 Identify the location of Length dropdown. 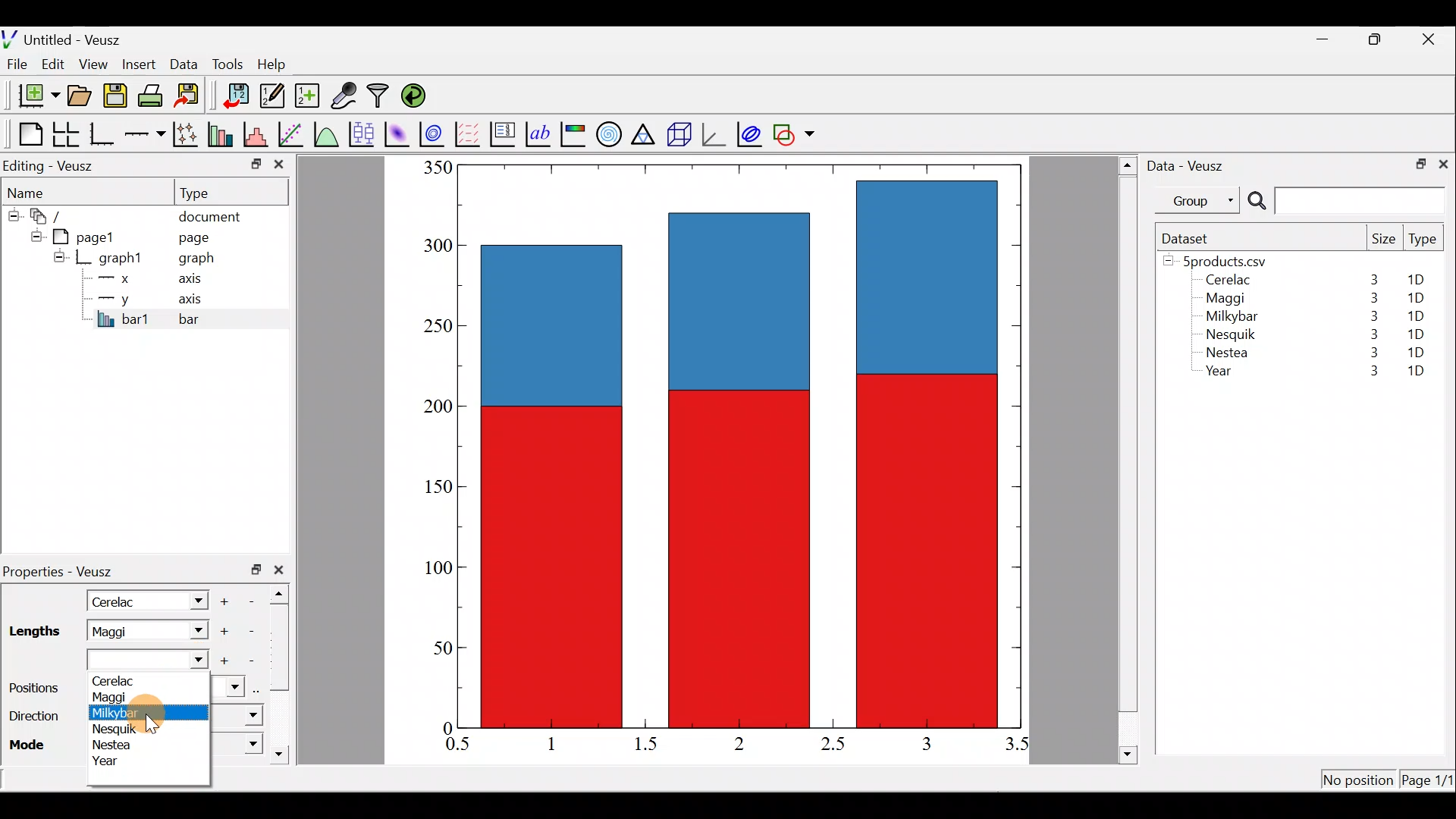
(191, 600).